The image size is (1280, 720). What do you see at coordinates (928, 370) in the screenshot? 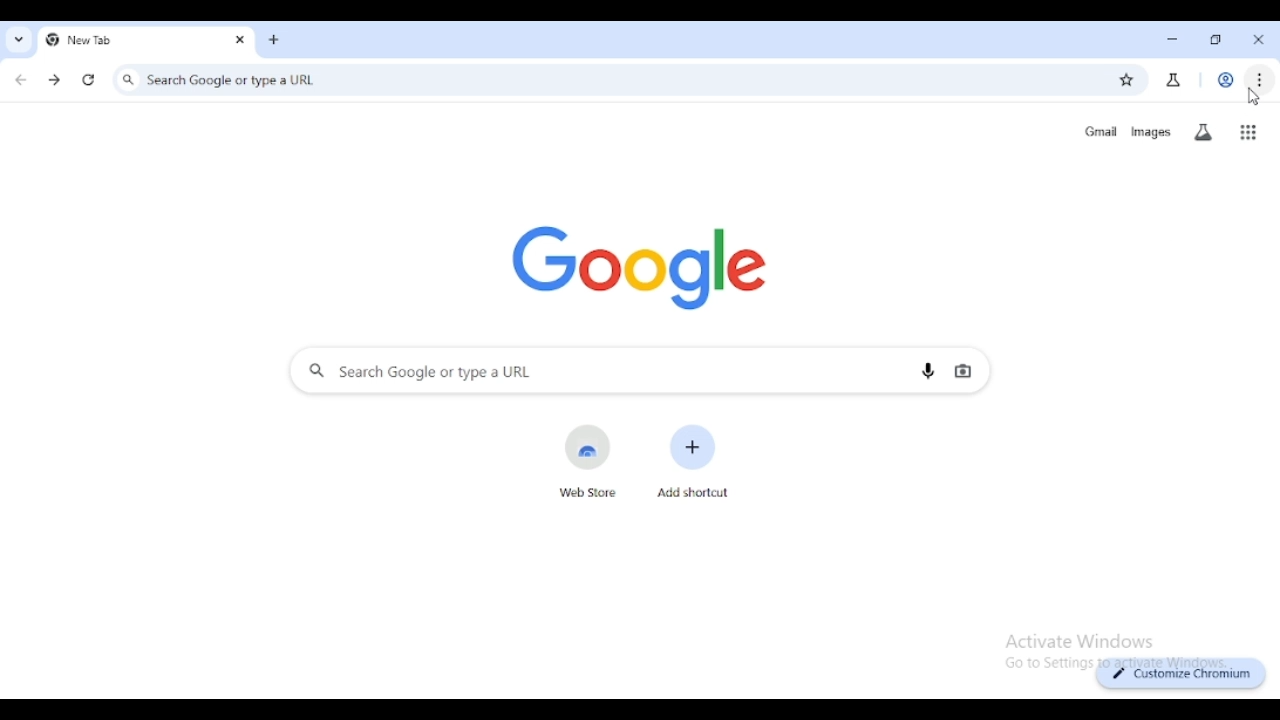
I see `search by voice` at bounding box center [928, 370].